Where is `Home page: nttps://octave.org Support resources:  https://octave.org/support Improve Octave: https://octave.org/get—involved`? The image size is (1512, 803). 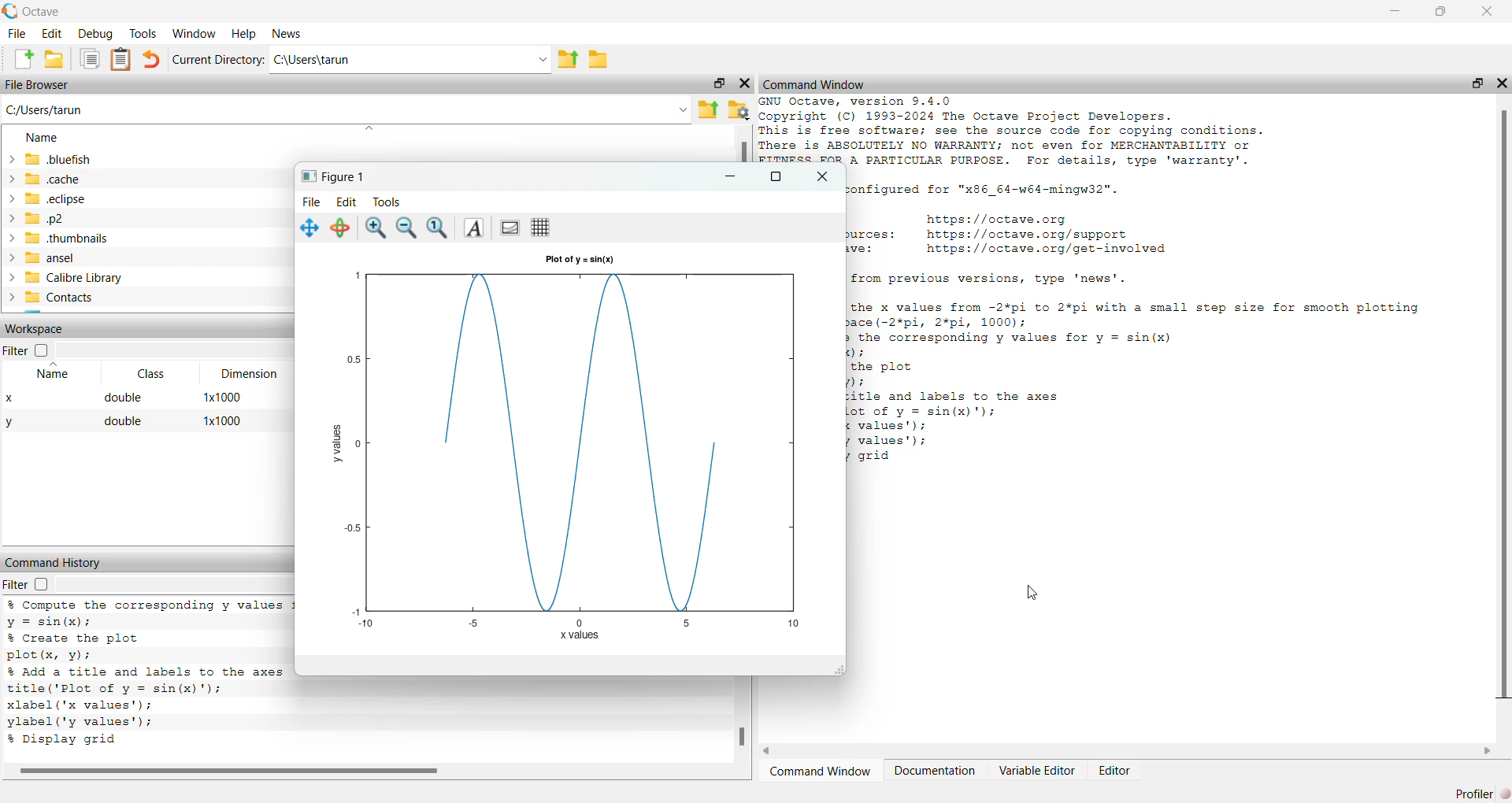
Home page: nttps://octave.org Support resources:  https://octave.org/support Improve Octave: https://octave.org/get—involved is located at coordinates (1008, 234).